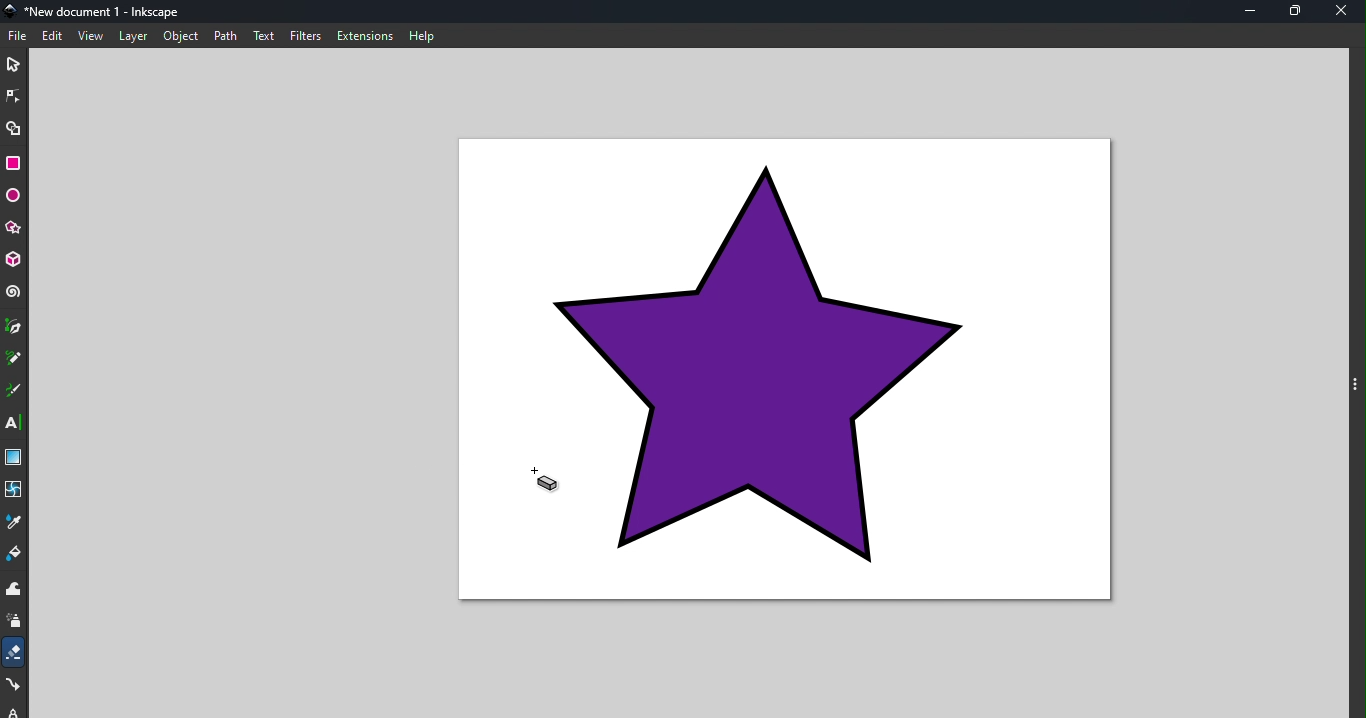 The image size is (1366, 718). Describe the element at coordinates (14, 422) in the screenshot. I see `text tool` at that location.